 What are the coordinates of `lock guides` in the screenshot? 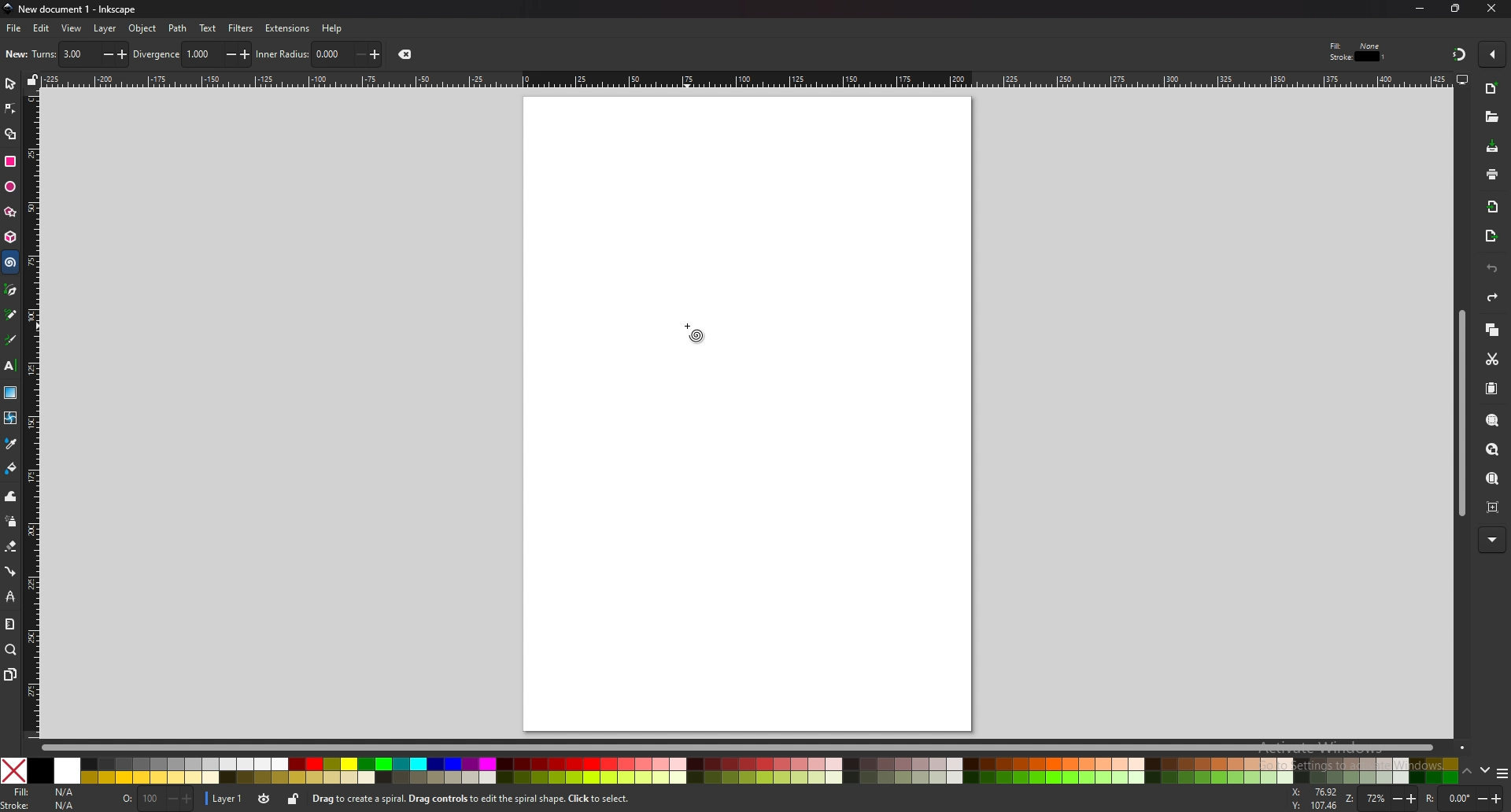 It's located at (33, 81).